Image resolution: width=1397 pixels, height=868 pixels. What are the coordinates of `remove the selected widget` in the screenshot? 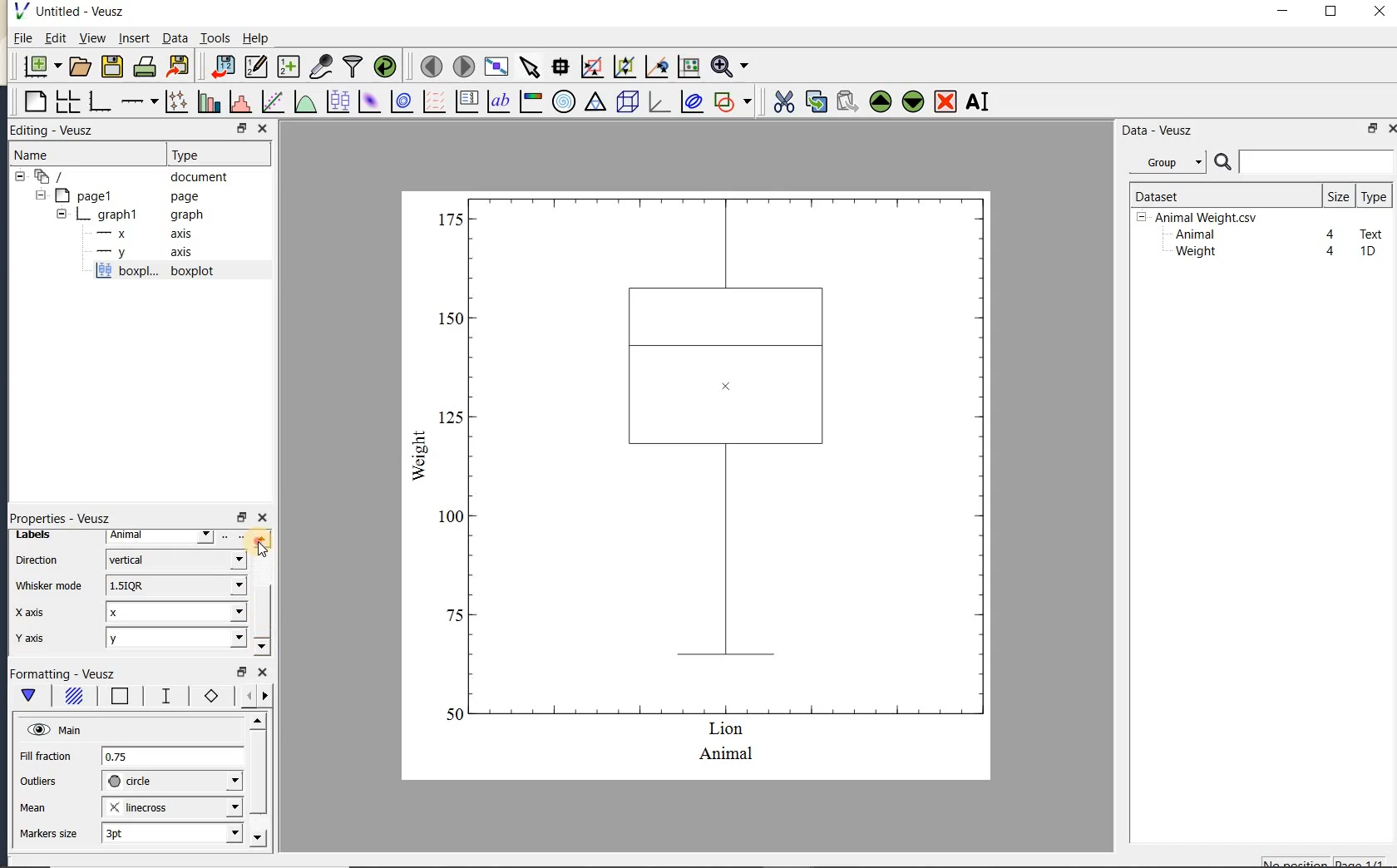 It's located at (944, 103).